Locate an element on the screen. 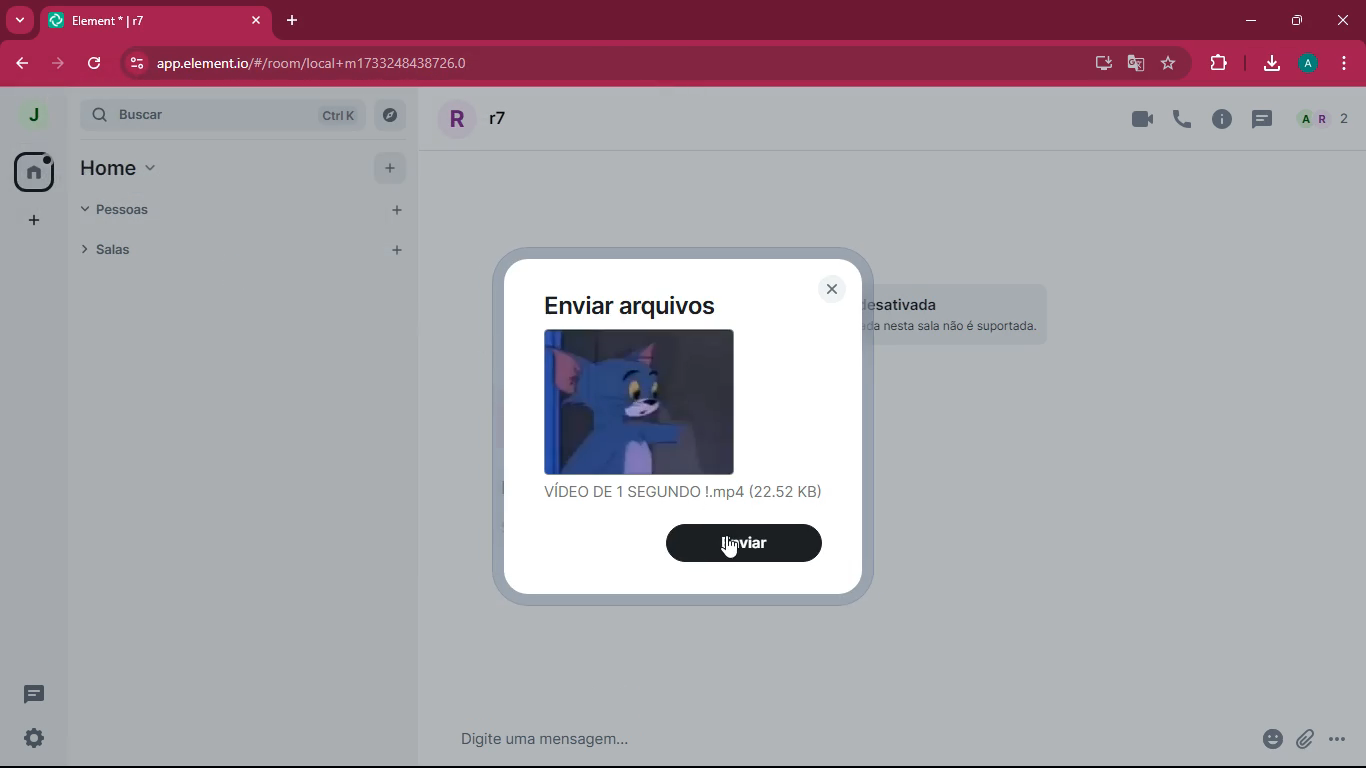  home is located at coordinates (139, 167).